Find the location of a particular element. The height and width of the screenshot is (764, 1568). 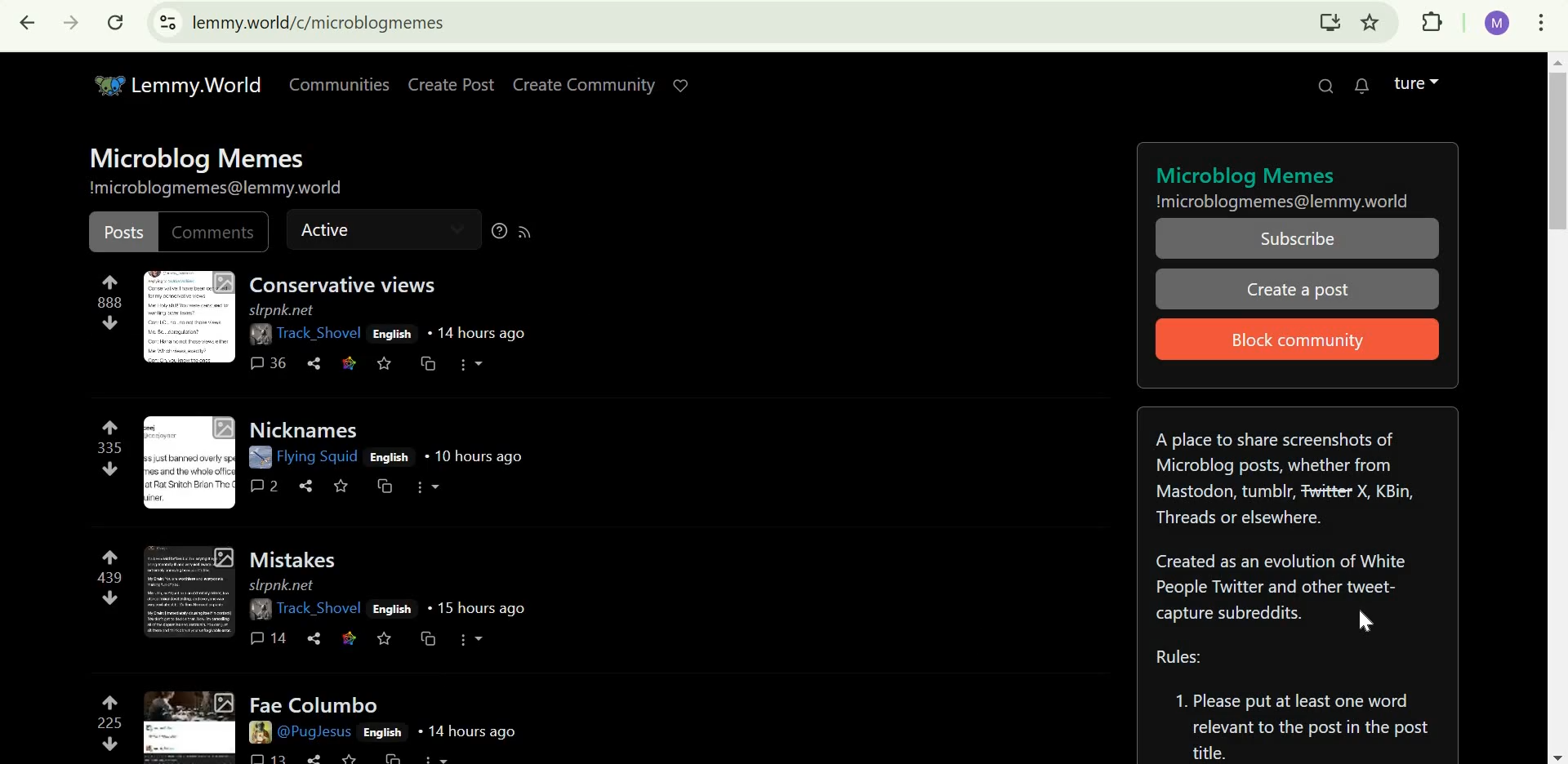

settings is located at coordinates (161, 26).